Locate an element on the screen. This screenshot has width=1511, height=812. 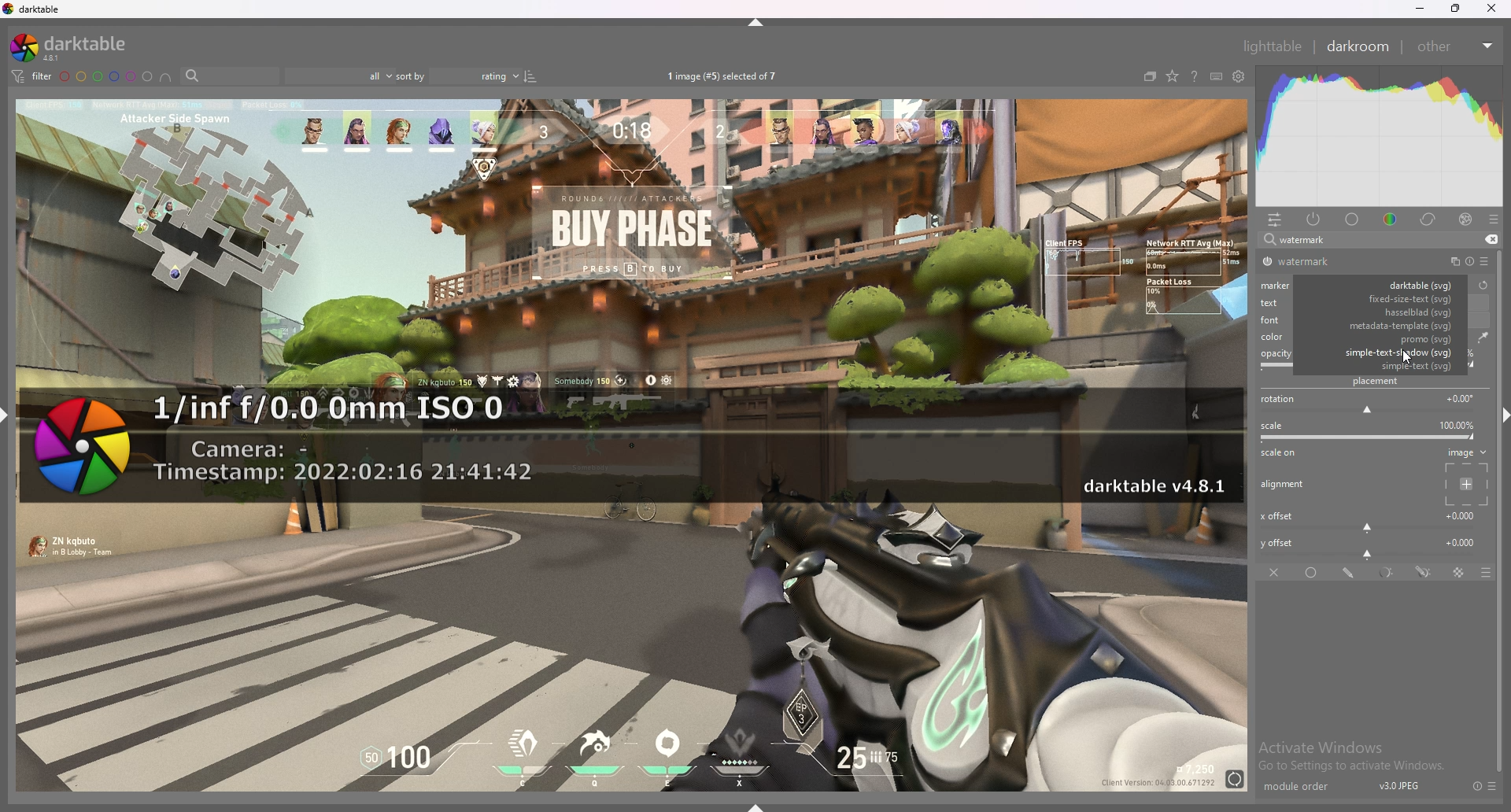
include color label is located at coordinates (165, 77).